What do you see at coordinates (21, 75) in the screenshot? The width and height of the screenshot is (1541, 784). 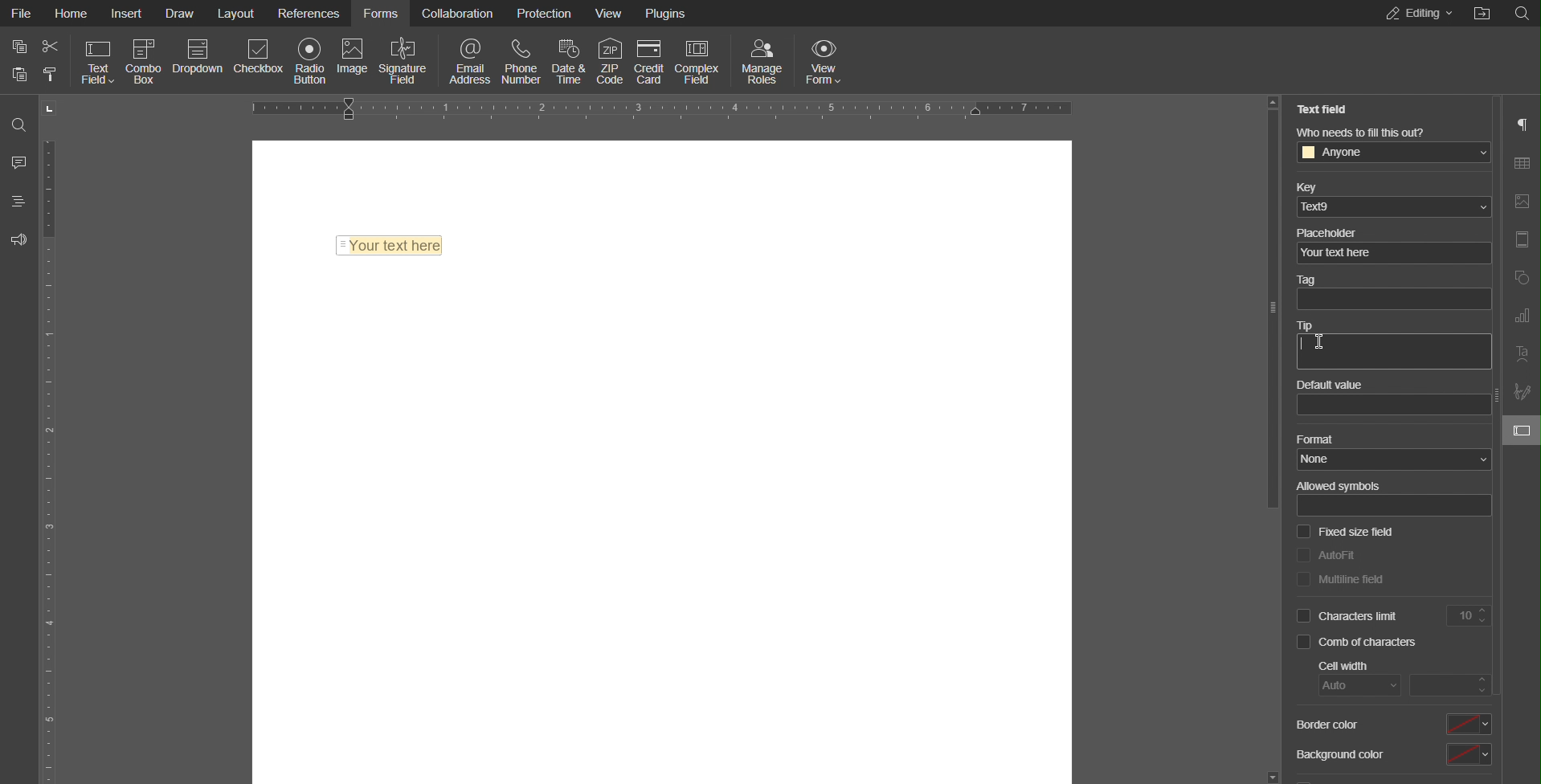 I see `paste` at bounding box center [21, 75].